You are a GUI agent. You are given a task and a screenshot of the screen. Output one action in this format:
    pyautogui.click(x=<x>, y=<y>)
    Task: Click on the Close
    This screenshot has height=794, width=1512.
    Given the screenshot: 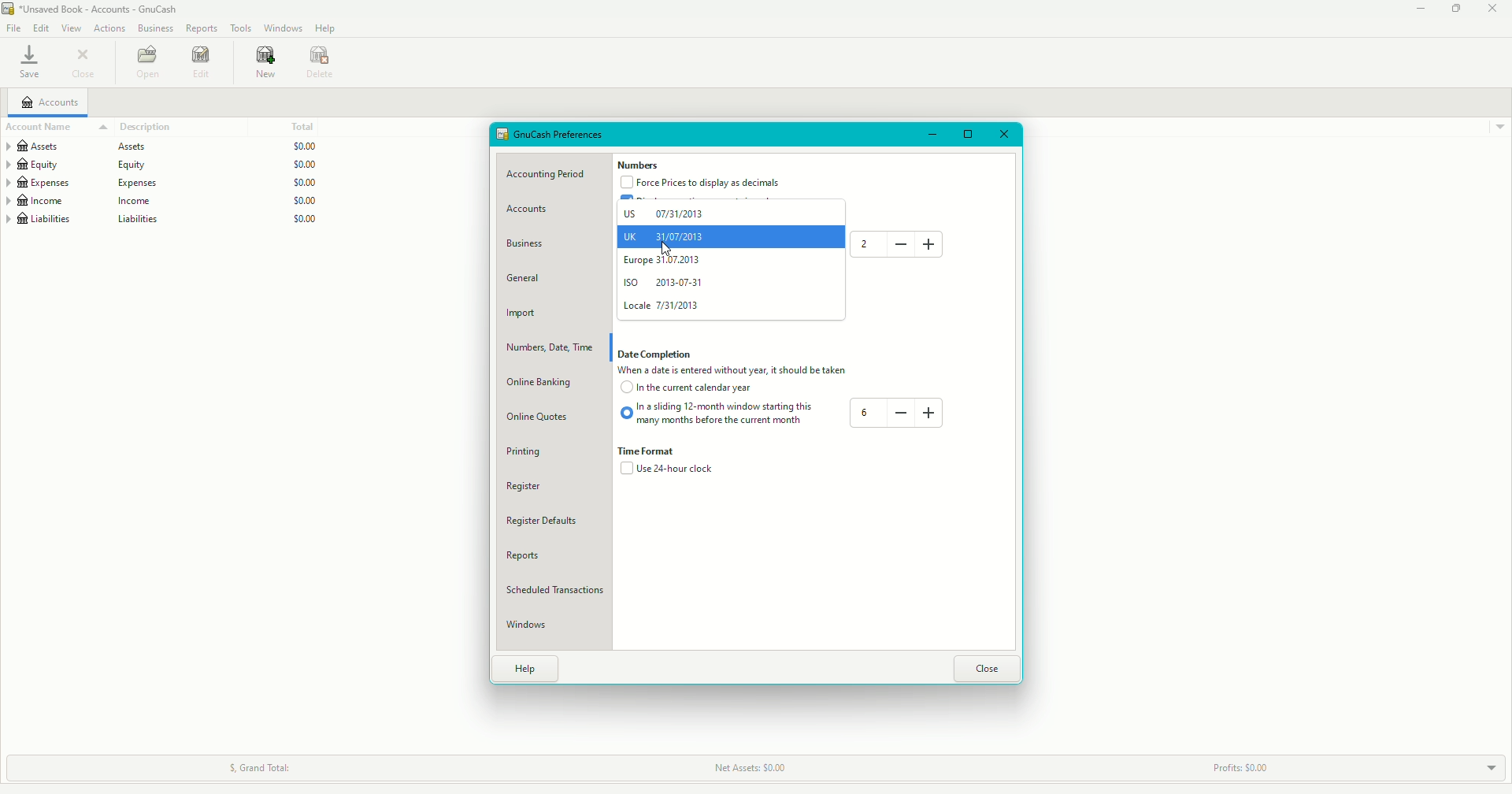 What is the action you would take?
    pyautogui.click(x=82, y=65)
    